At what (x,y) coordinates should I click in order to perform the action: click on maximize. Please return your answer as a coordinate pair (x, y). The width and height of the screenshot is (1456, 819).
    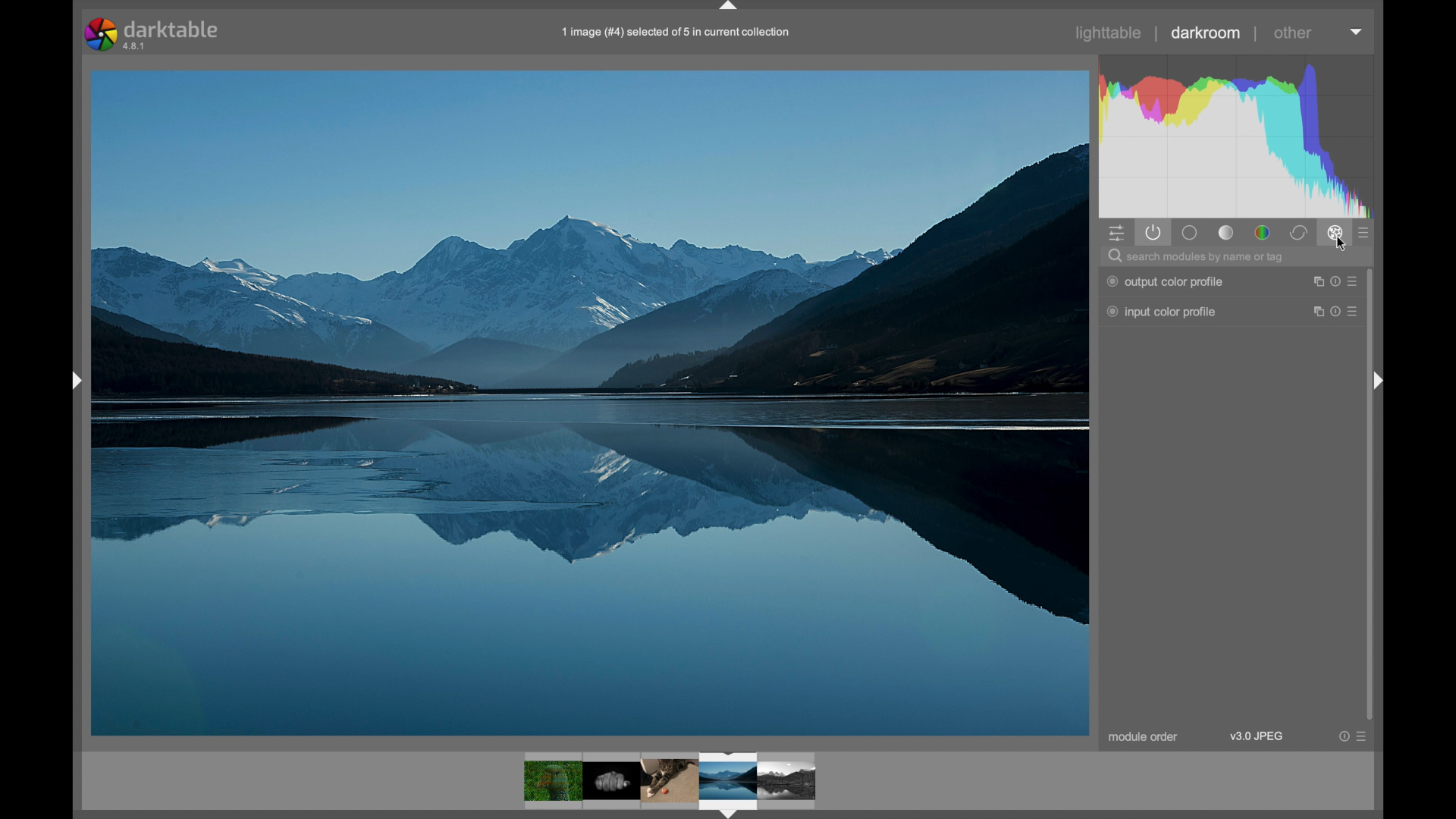
    Looking at the image, I should click on (1316, 281).